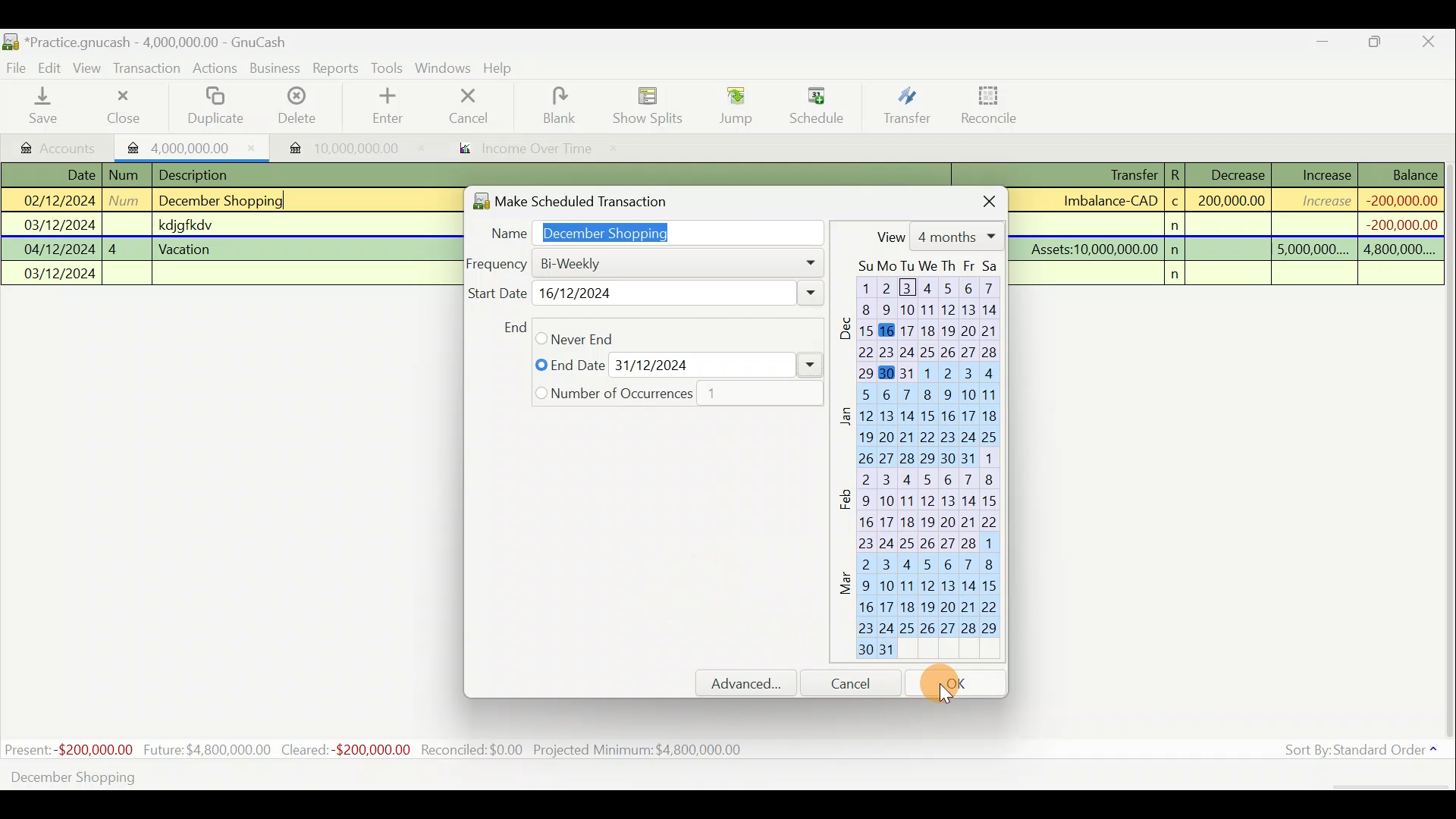 The height and width of the screenshot is (819, 1456). Describe the element at coordinates (815, 99) in the screenshot. I see `Cursor` at that location.